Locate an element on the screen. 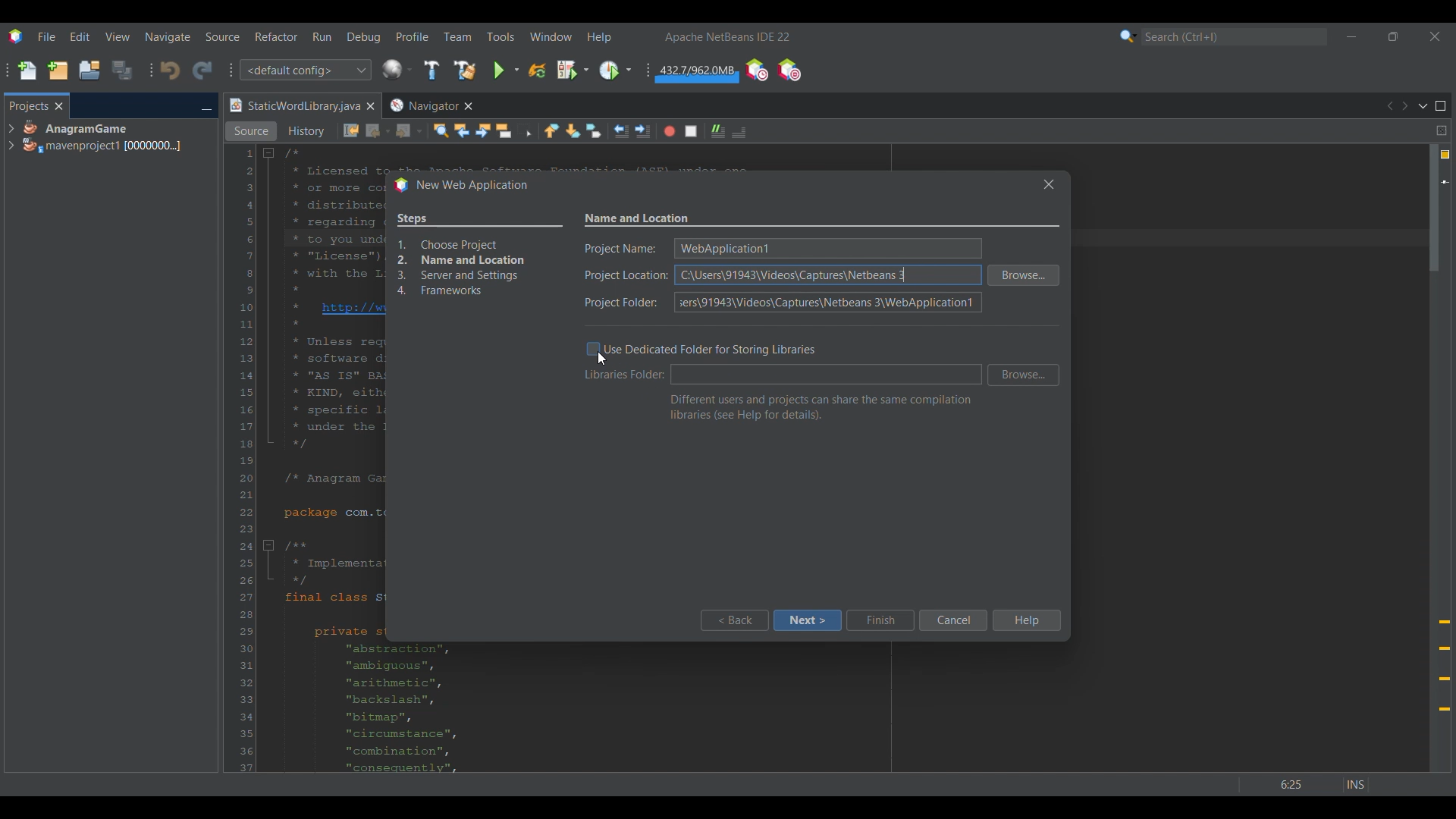 The height and width of the screenshot is (819, 1456). New file is located at coordinates (27, 71).